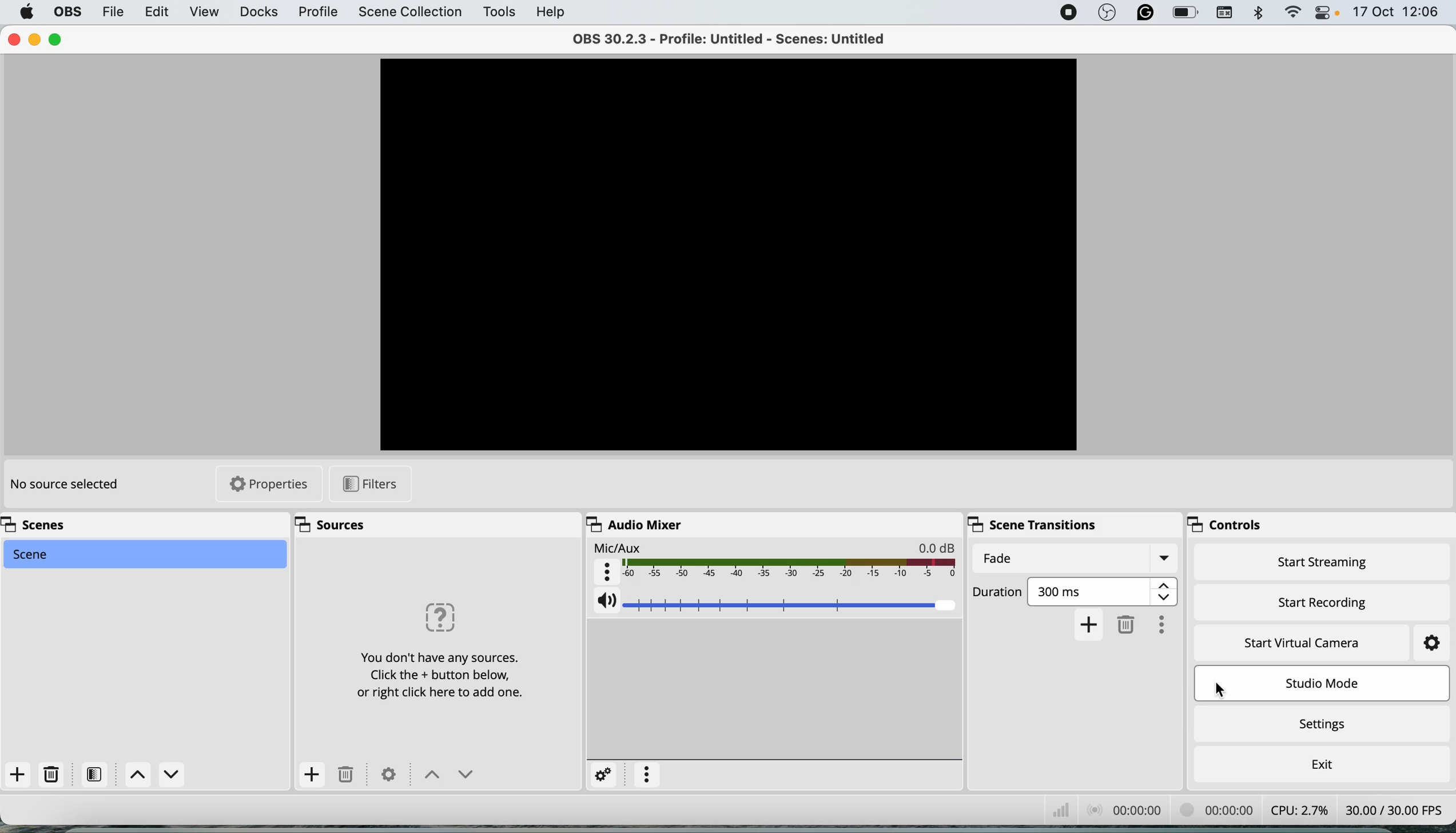  Describe the element at coordinates (1257, 13) in the screenshot. I see `bluetooth` at that location.